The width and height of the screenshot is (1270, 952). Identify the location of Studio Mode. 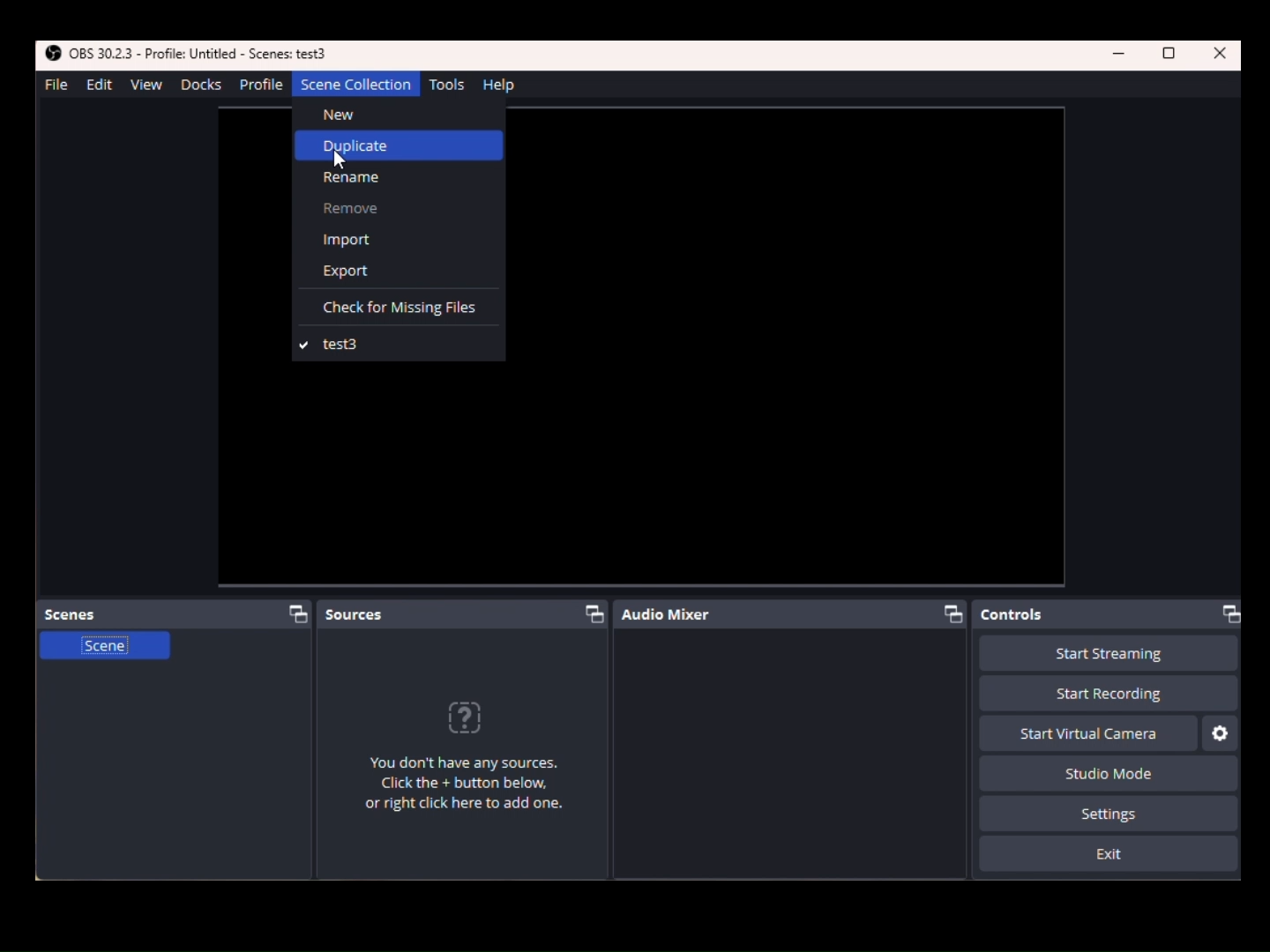
(1102, 772).